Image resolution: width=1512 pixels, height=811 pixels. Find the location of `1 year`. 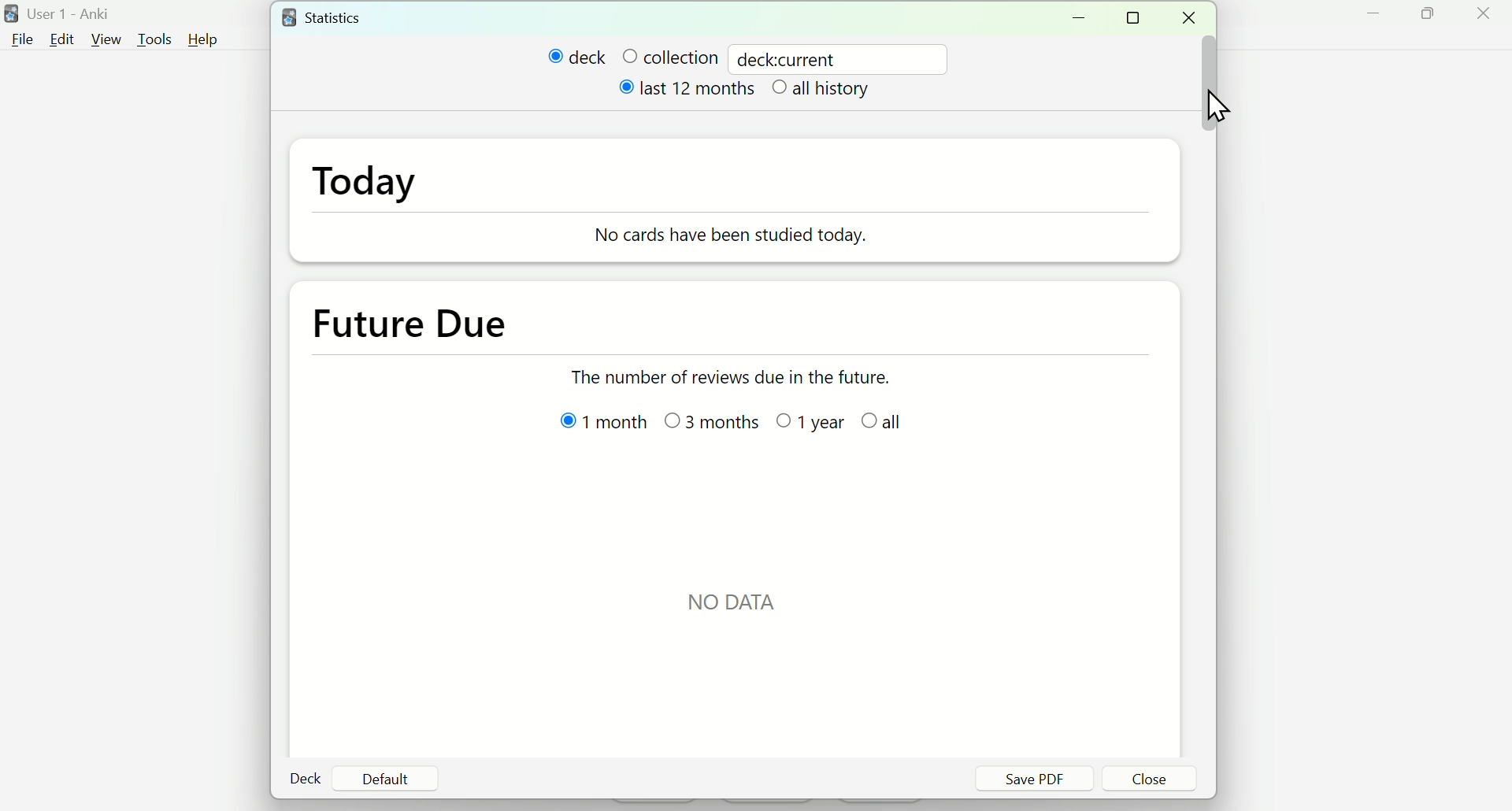

1 year is located at coordinates (813, 421).